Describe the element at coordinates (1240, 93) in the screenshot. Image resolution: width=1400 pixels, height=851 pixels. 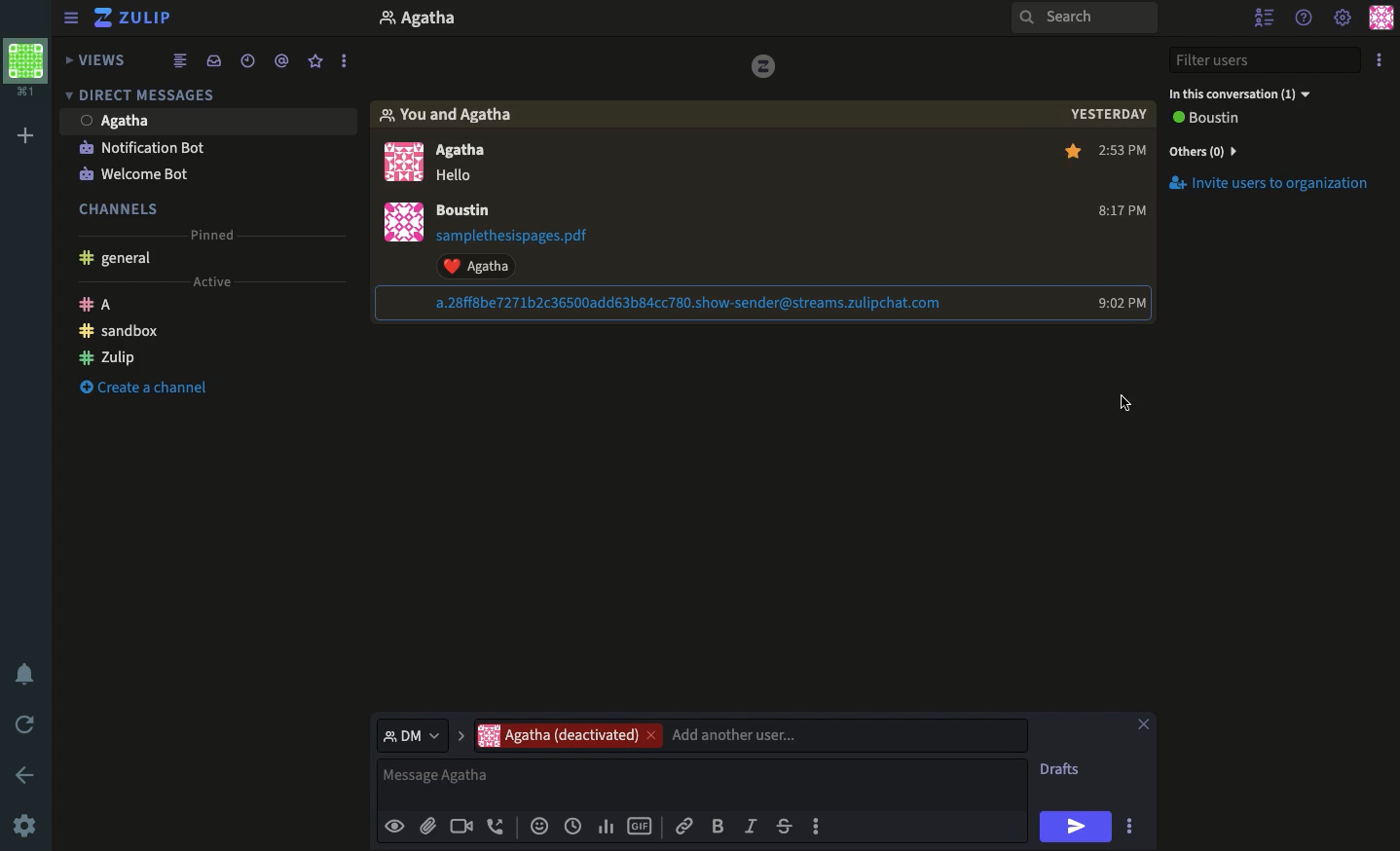
I see `in this conversation` at that location.